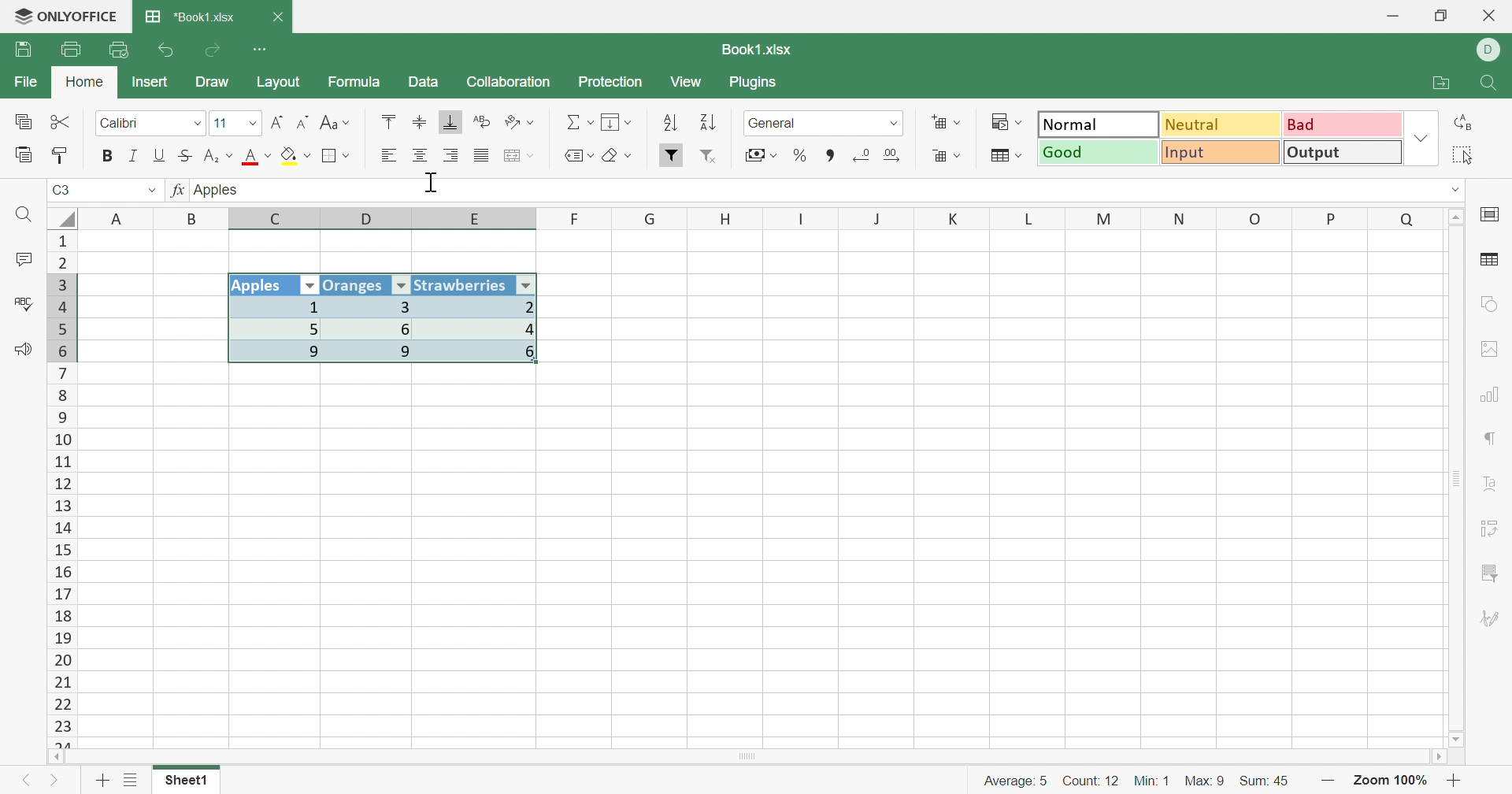  I want to click on Align Center, so click(420, 156).